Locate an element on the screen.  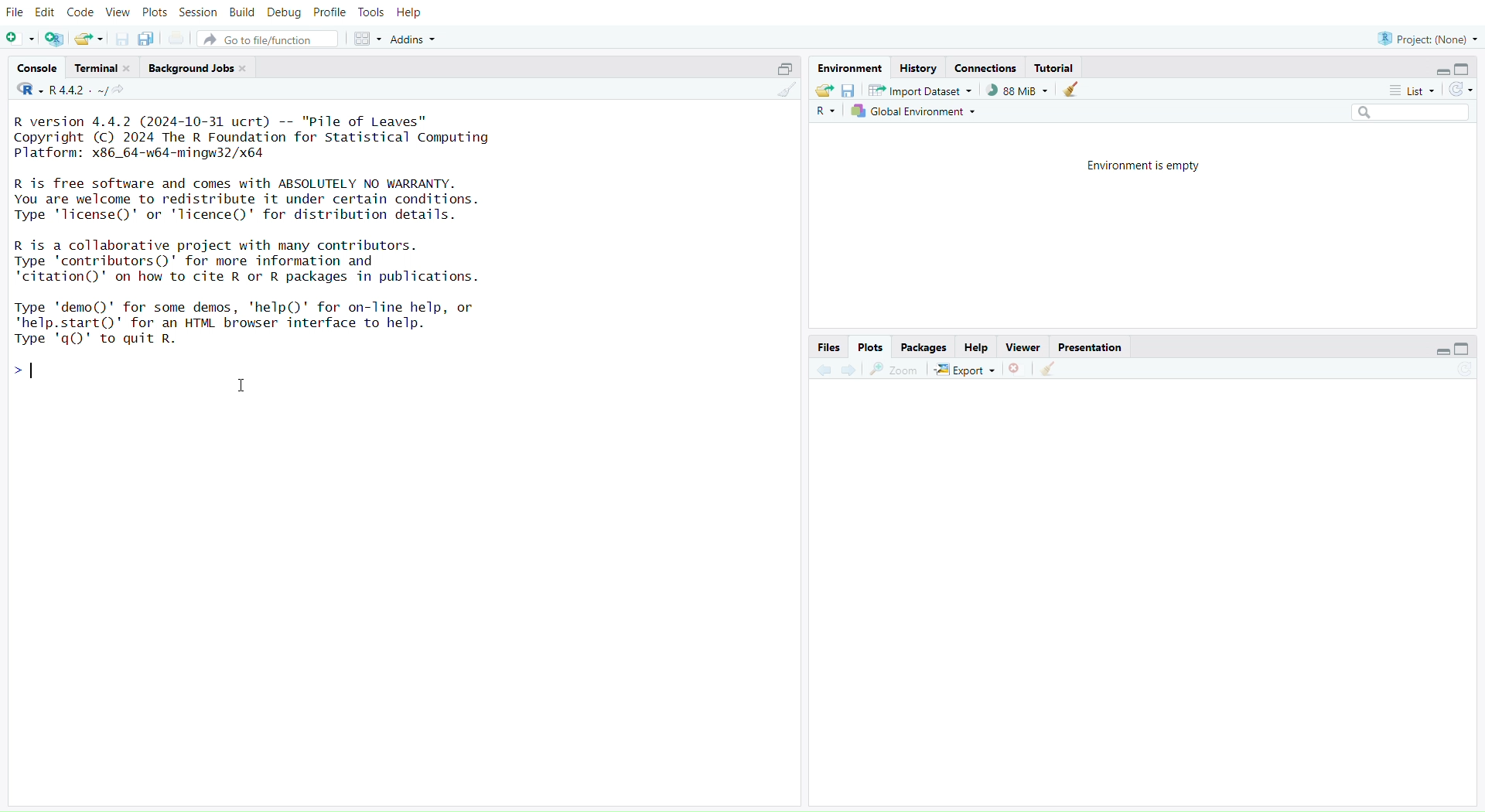
view is located at coordinates (118, 12).